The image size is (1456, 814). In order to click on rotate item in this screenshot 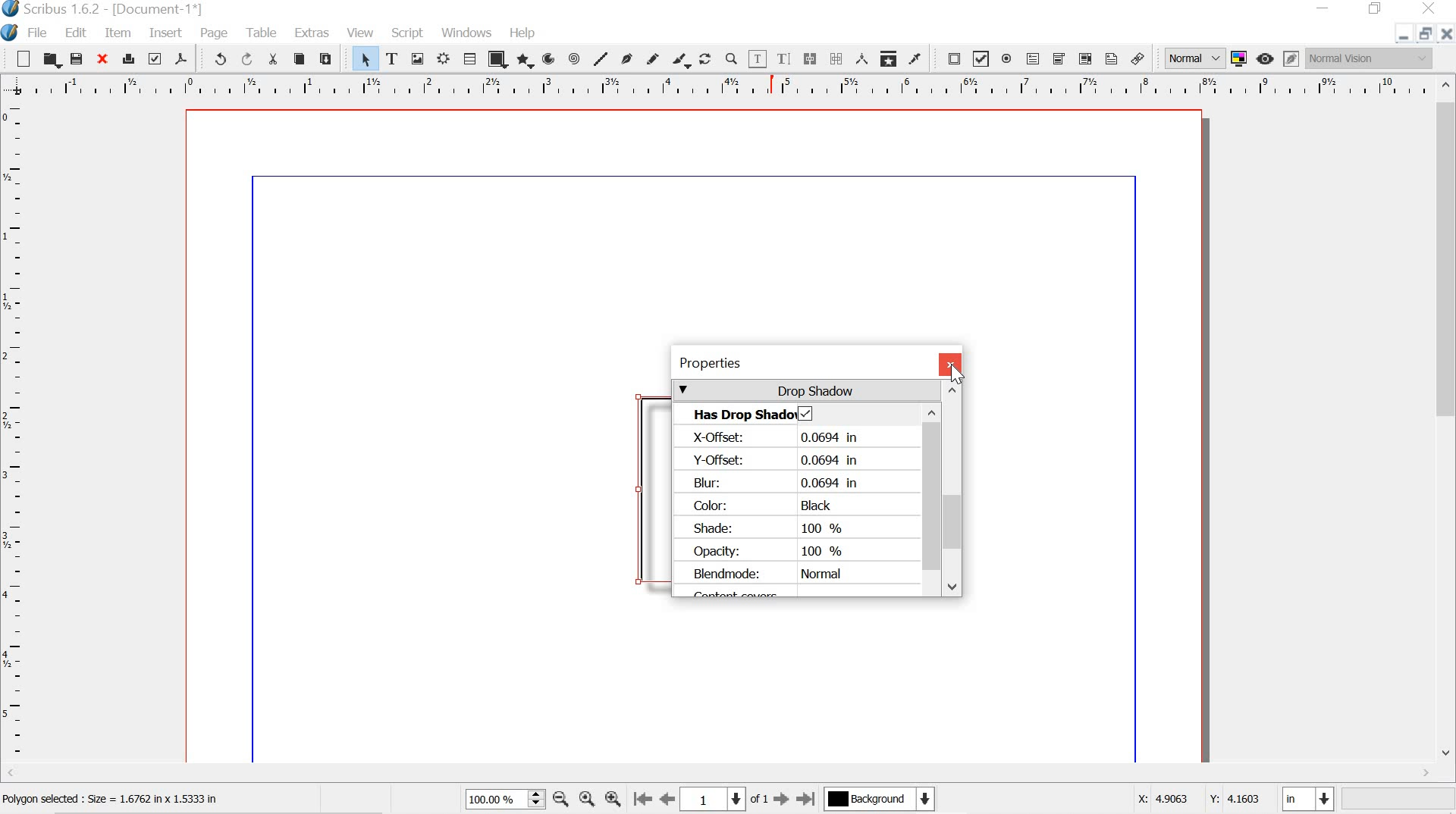, I will do `click(705, 58)`.